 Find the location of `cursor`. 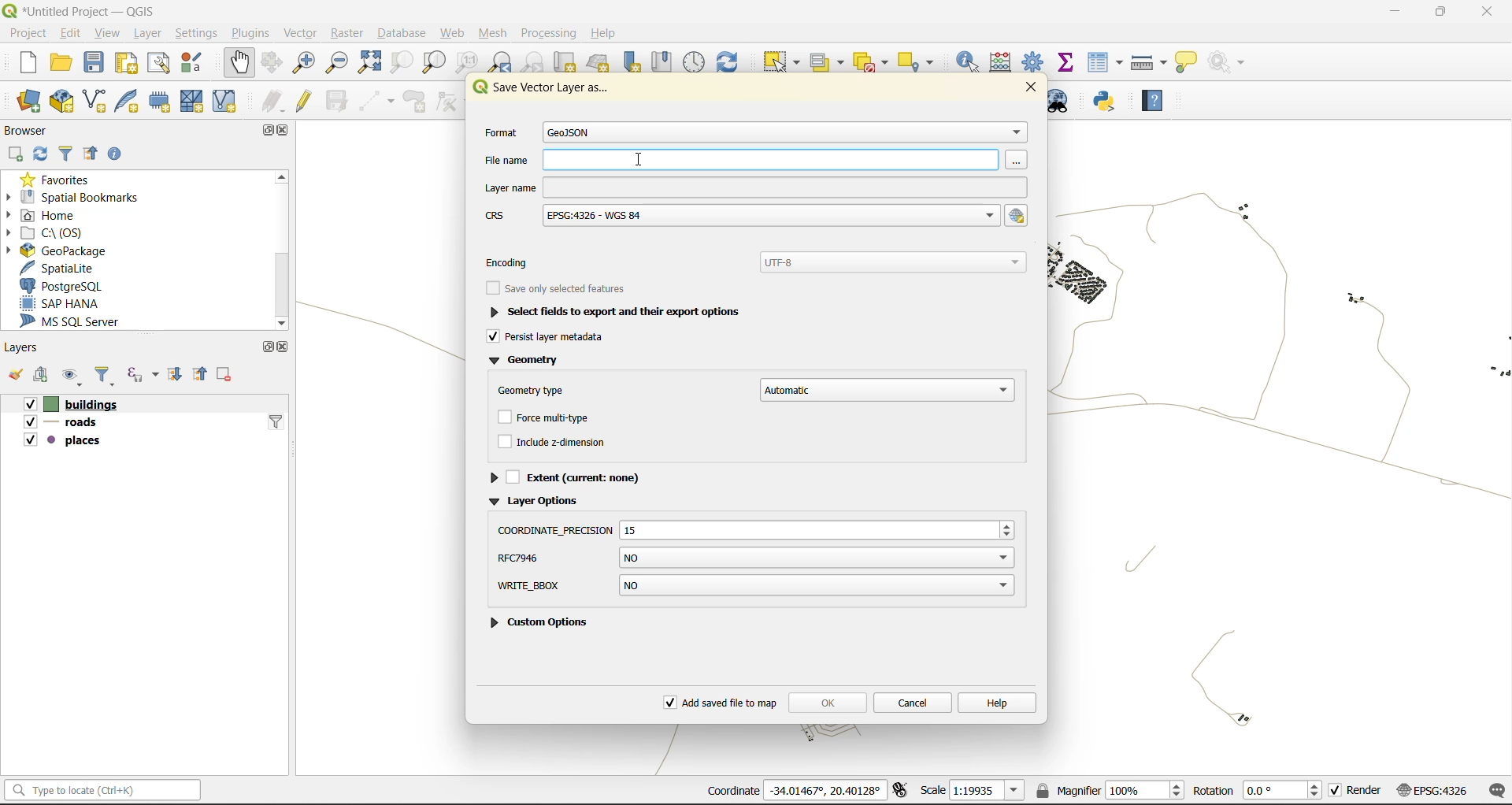

cursor is located at coordinates (642, 161).